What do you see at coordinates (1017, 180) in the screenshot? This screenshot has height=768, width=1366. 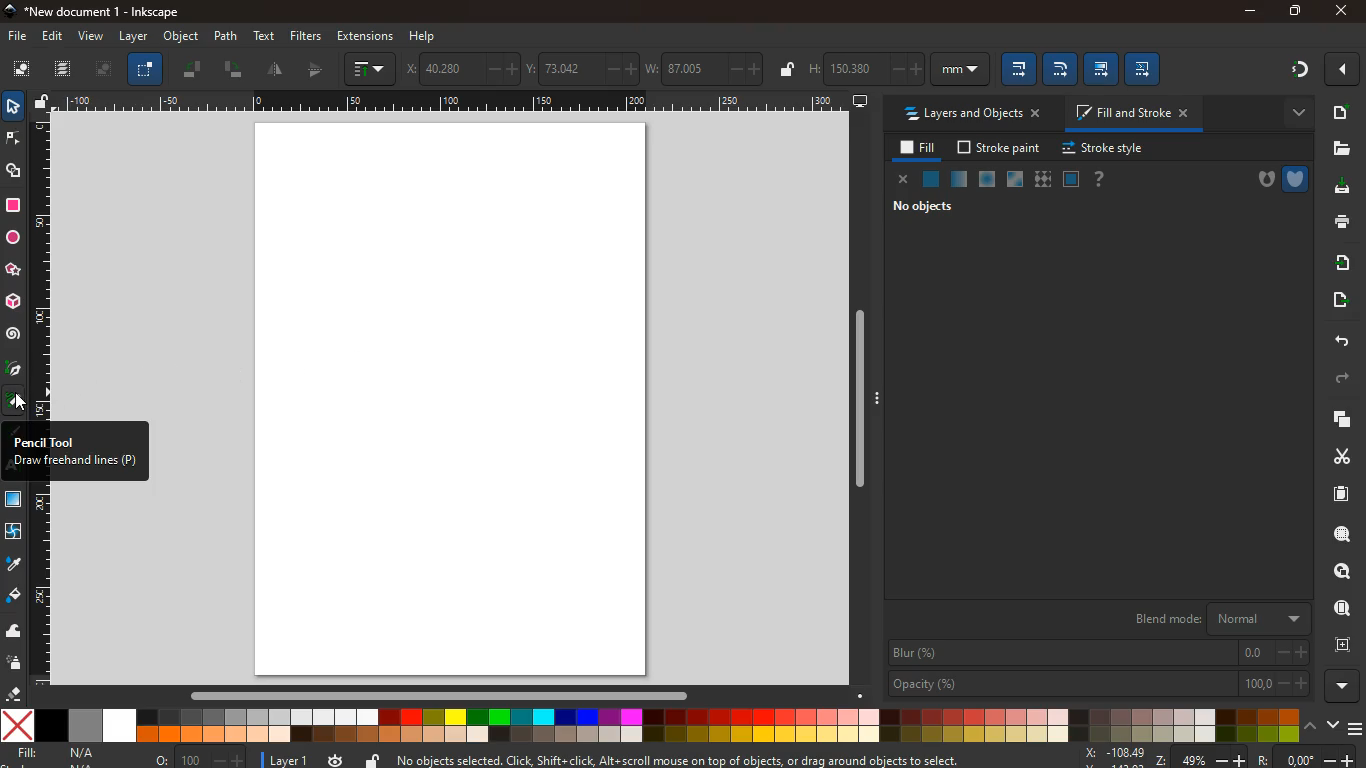 I see `glass` at bounding box center [1017, 180].